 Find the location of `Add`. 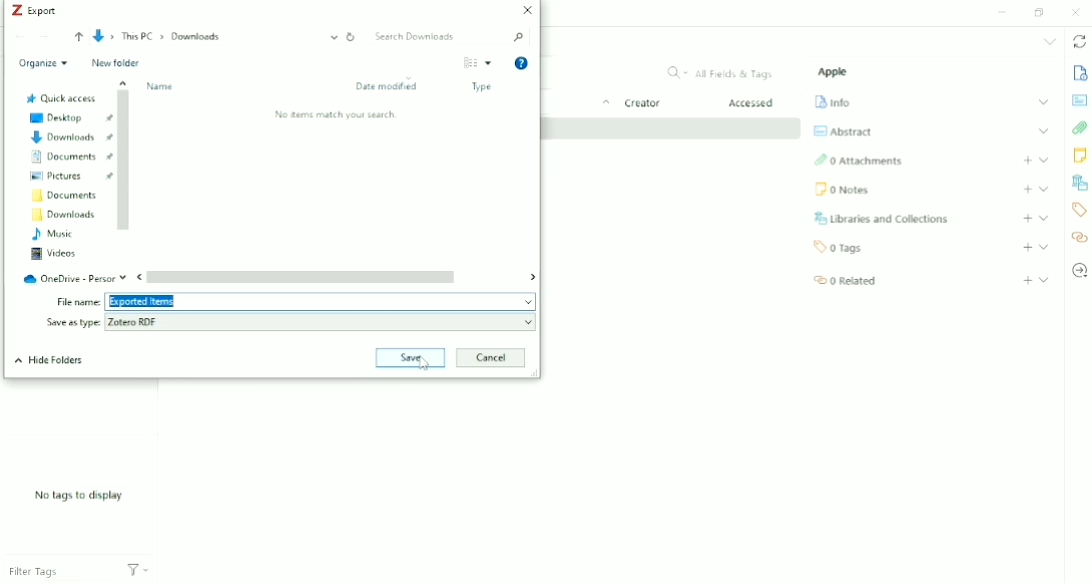

Add is located at coordinates (1027, 280).